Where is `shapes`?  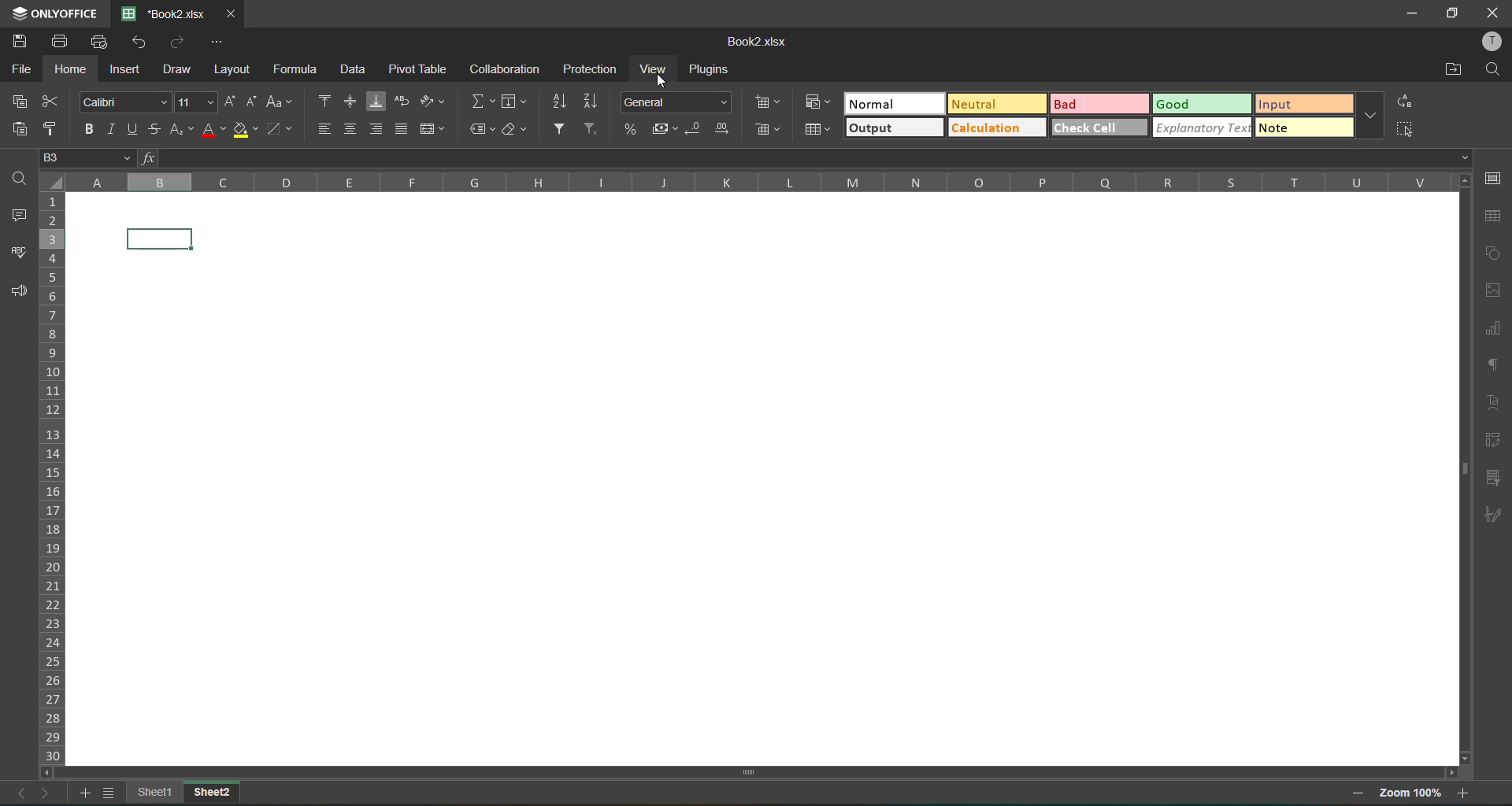
shapes is located at coordinates (1493, 252).